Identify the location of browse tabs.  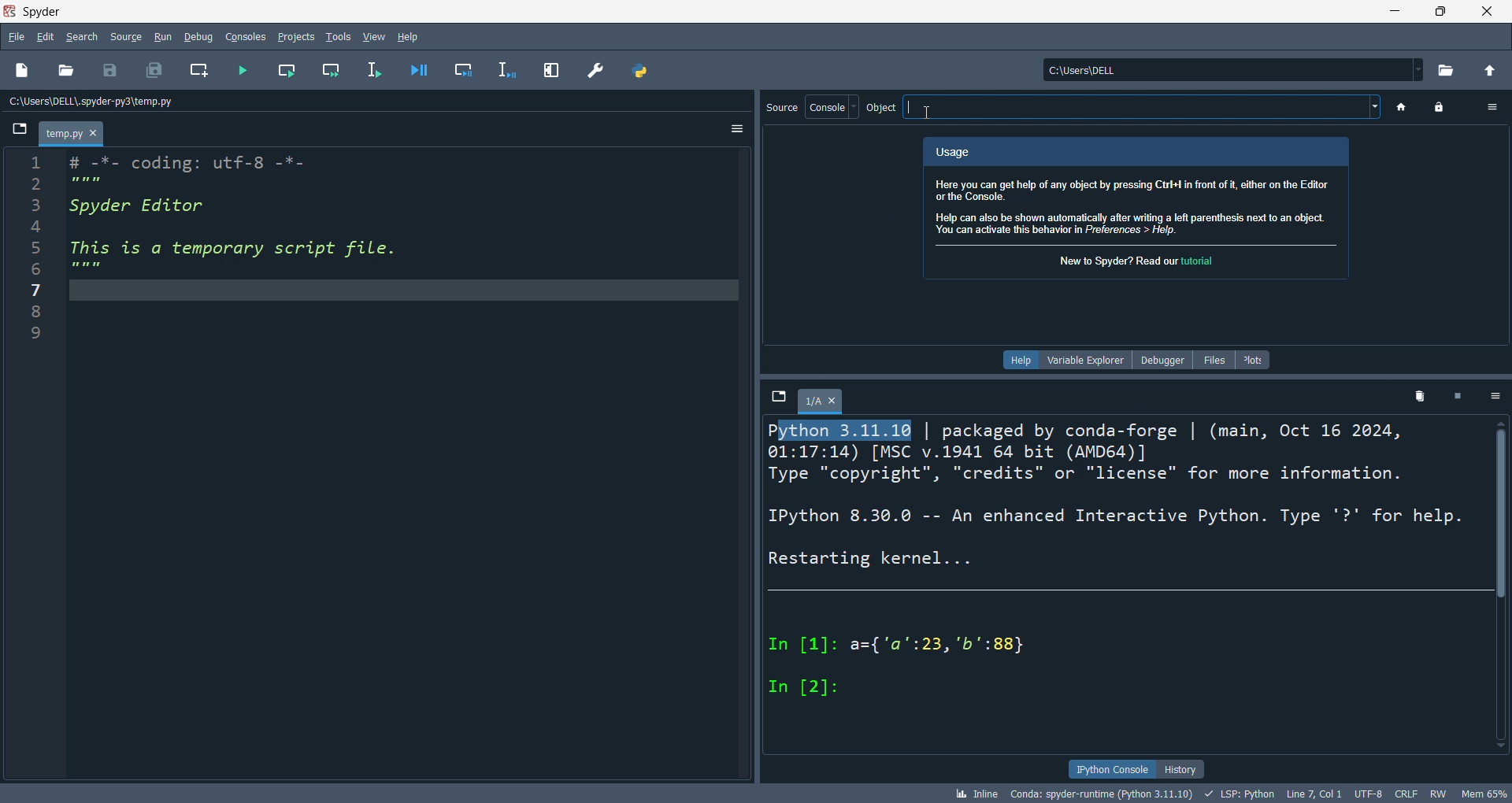
(776, 398).